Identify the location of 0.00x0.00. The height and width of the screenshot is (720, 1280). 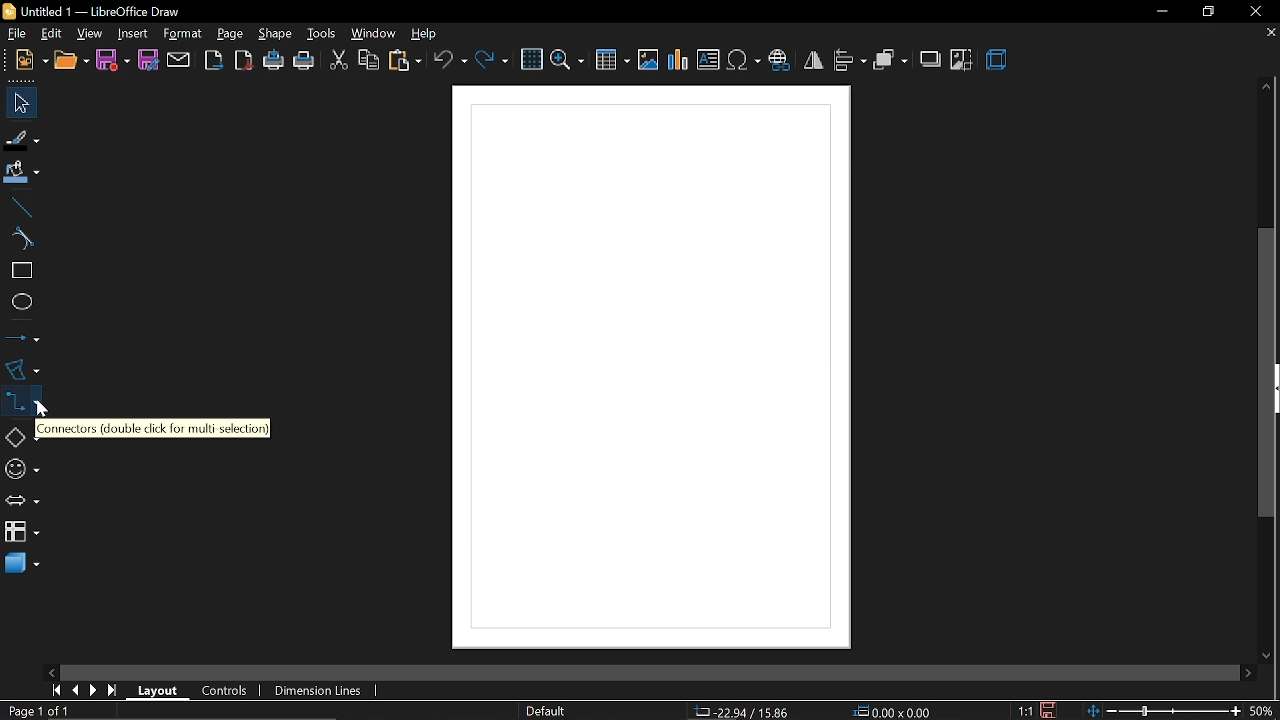
(891, 710).